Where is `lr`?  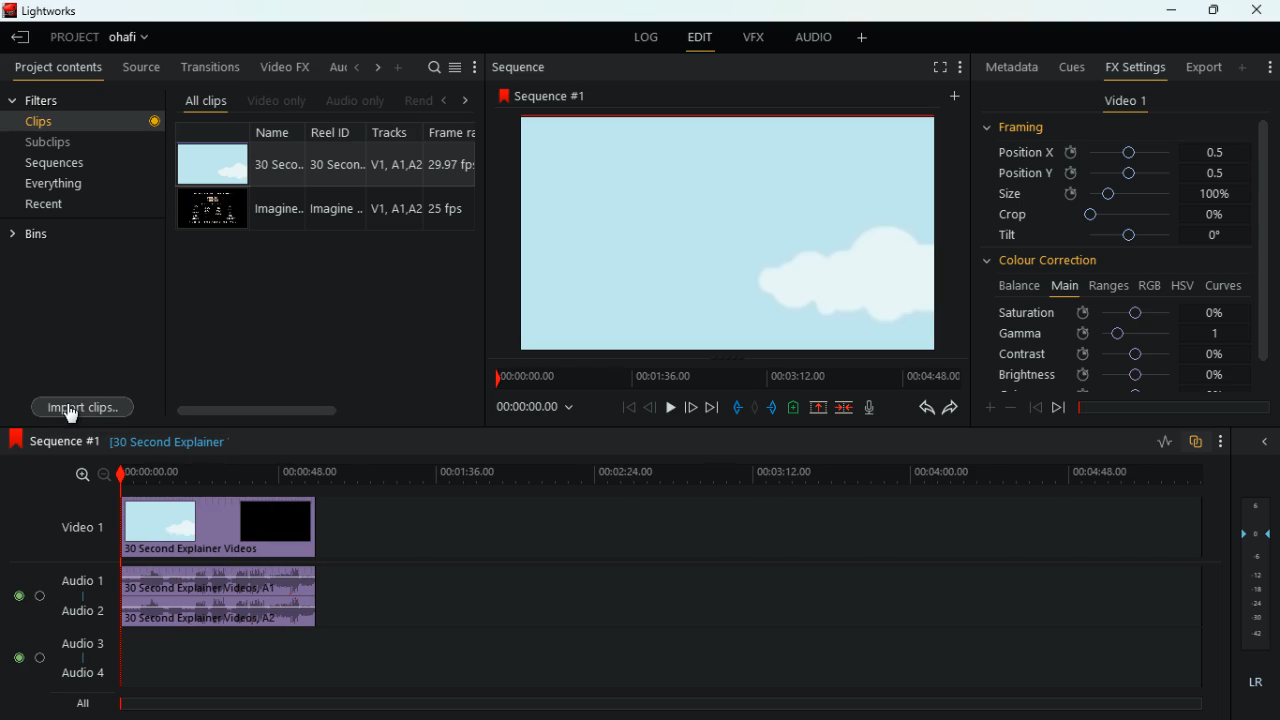
lr is located at coordinates (1253, 679).